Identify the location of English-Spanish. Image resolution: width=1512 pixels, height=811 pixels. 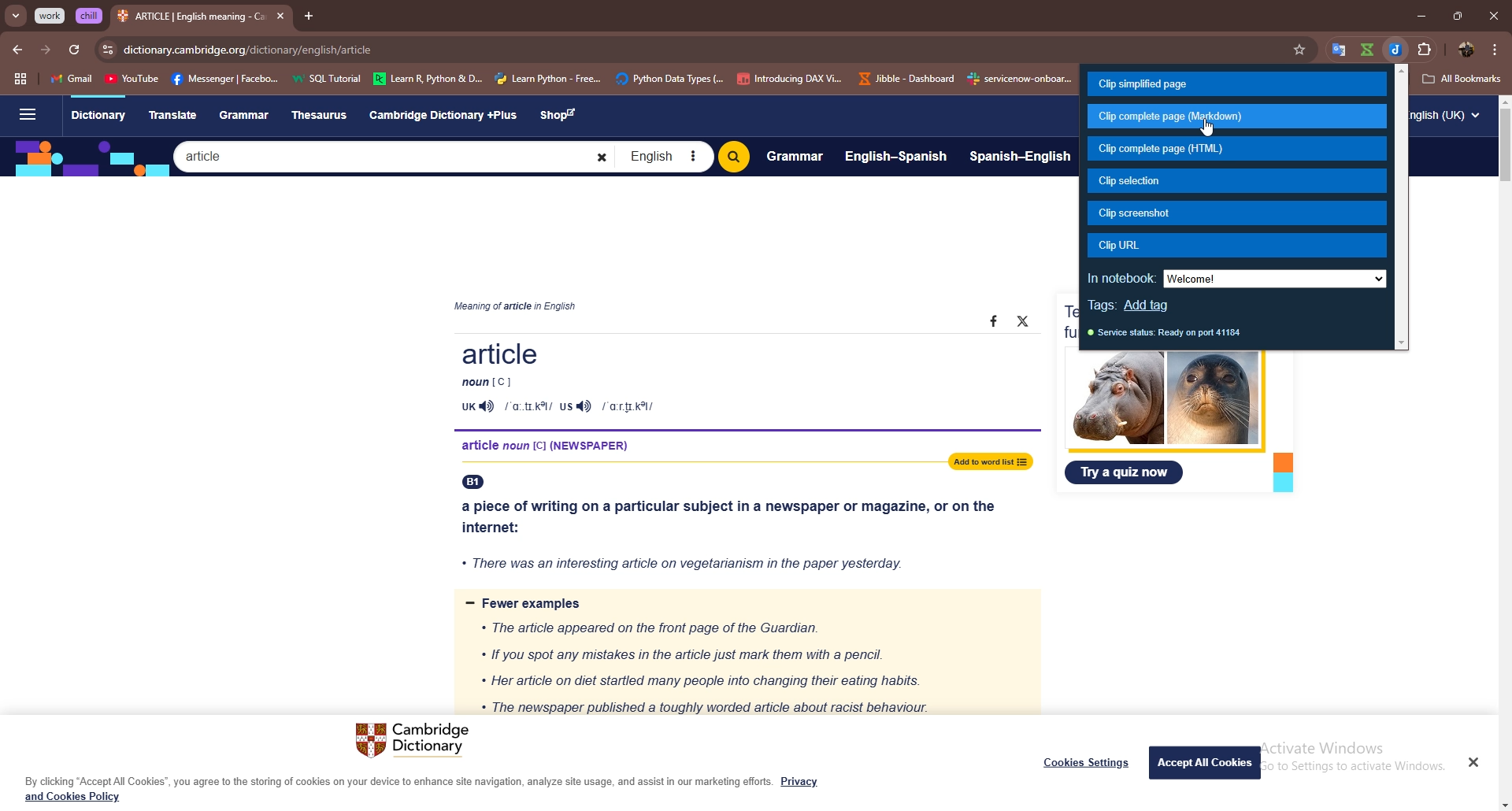
(896, 155).